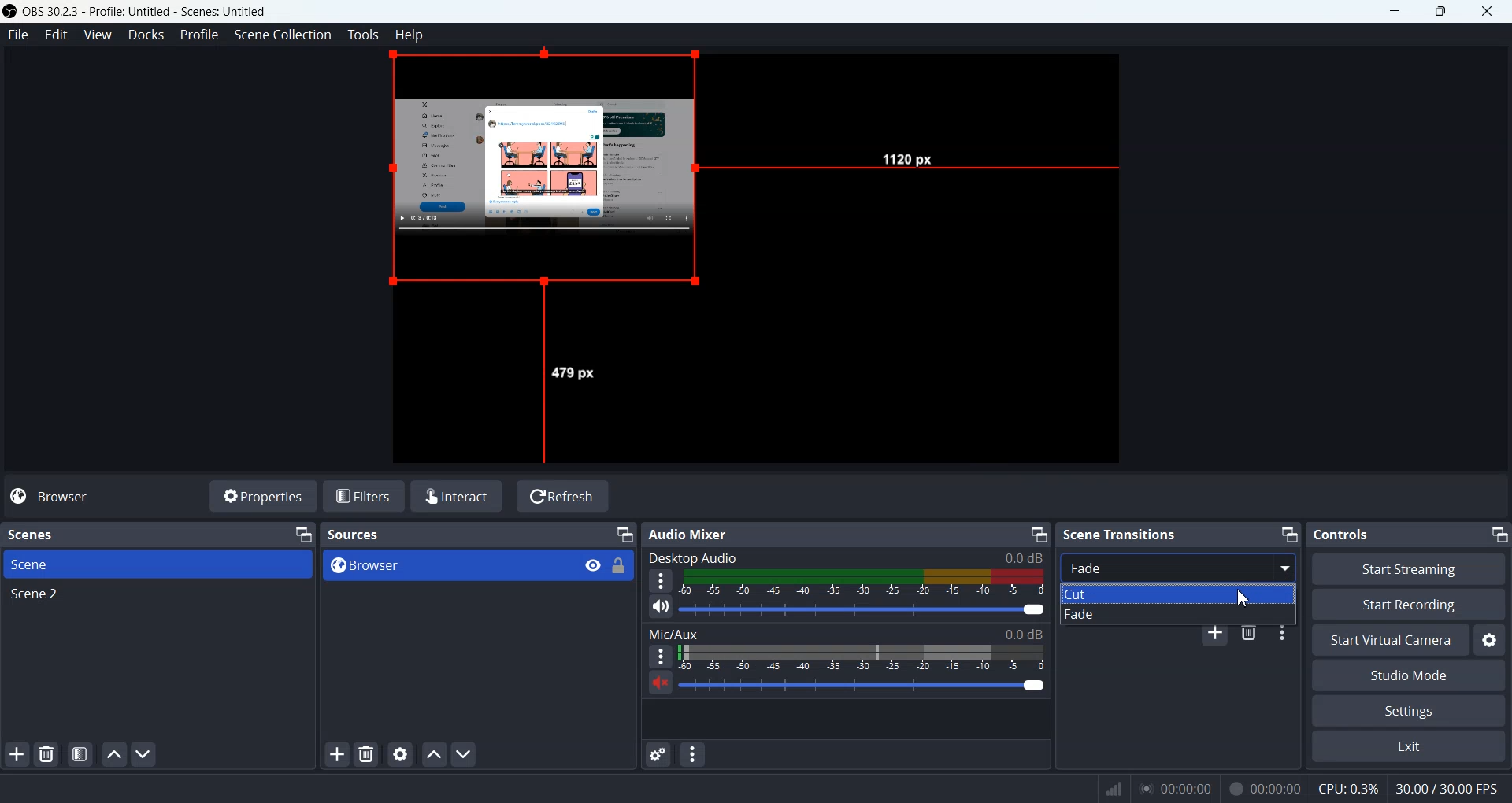 This screenshot has height=803, width=1512. I want to click on Cut, so click(1179, 597).